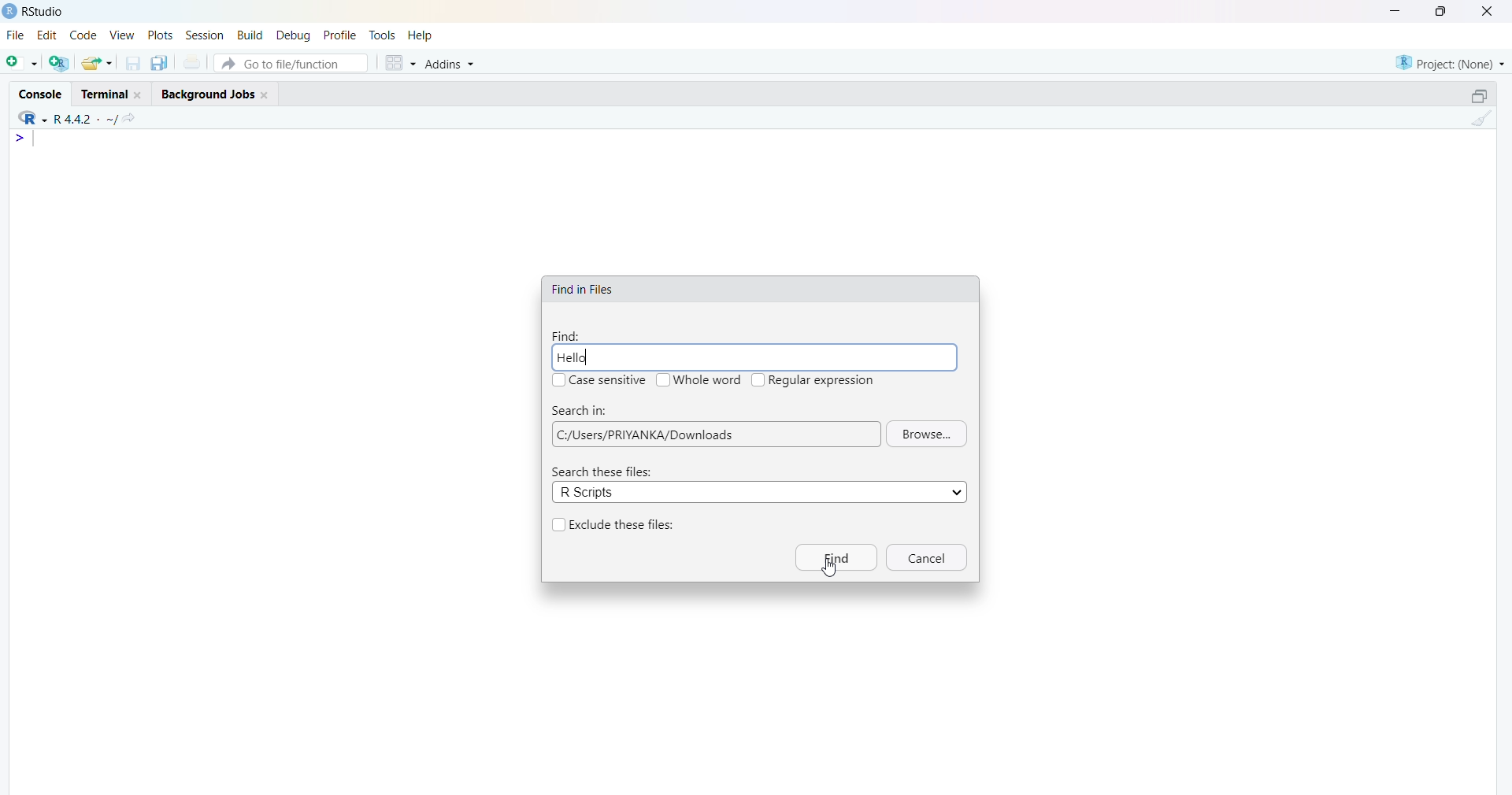 The image size is (1512, 795). What do you see at coordinates (1490, 11) in the screenshot?
I see `close` at bounding box center [1490, 11].